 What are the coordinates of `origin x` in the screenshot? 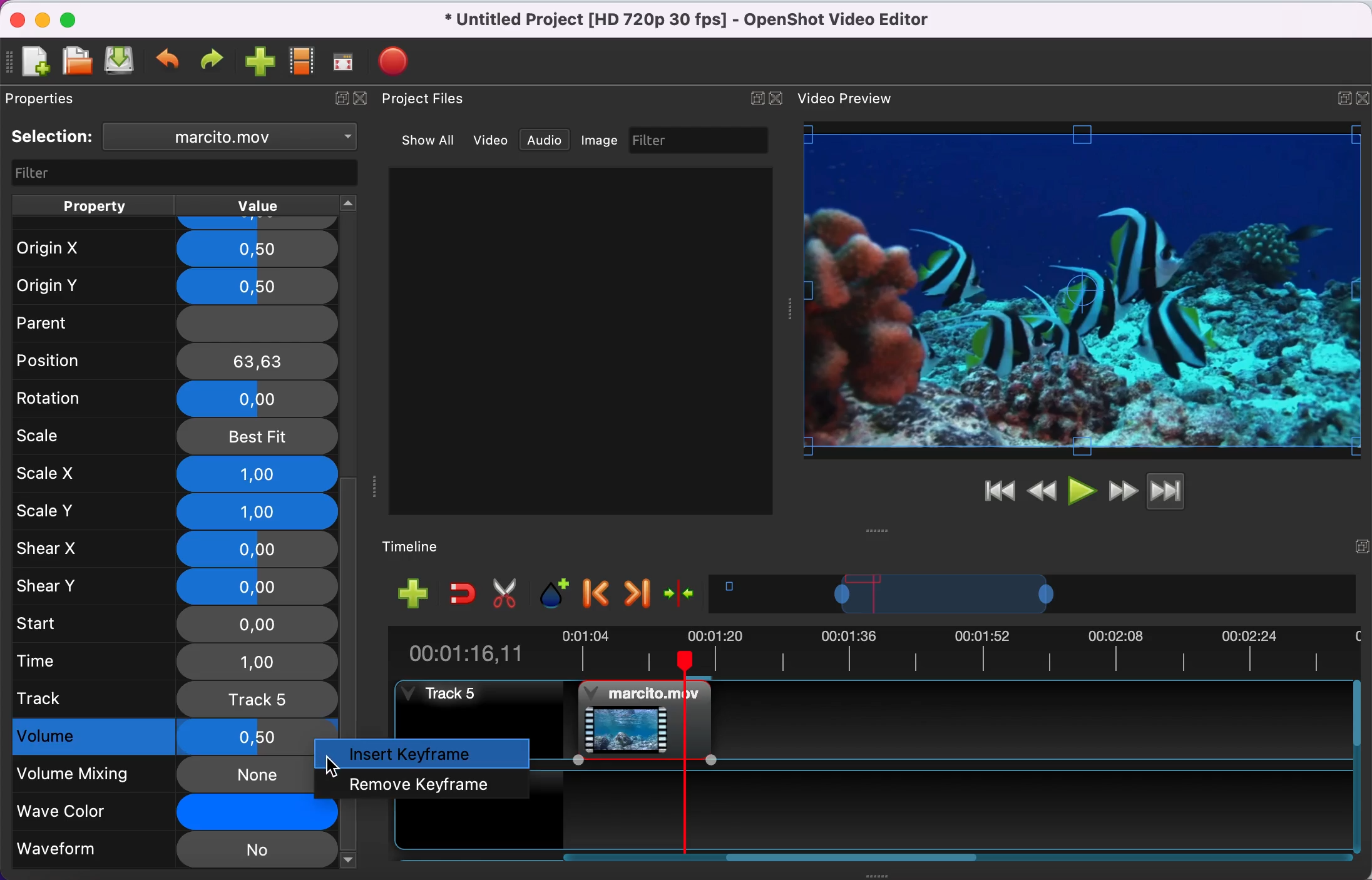 It's located at (171, 244).